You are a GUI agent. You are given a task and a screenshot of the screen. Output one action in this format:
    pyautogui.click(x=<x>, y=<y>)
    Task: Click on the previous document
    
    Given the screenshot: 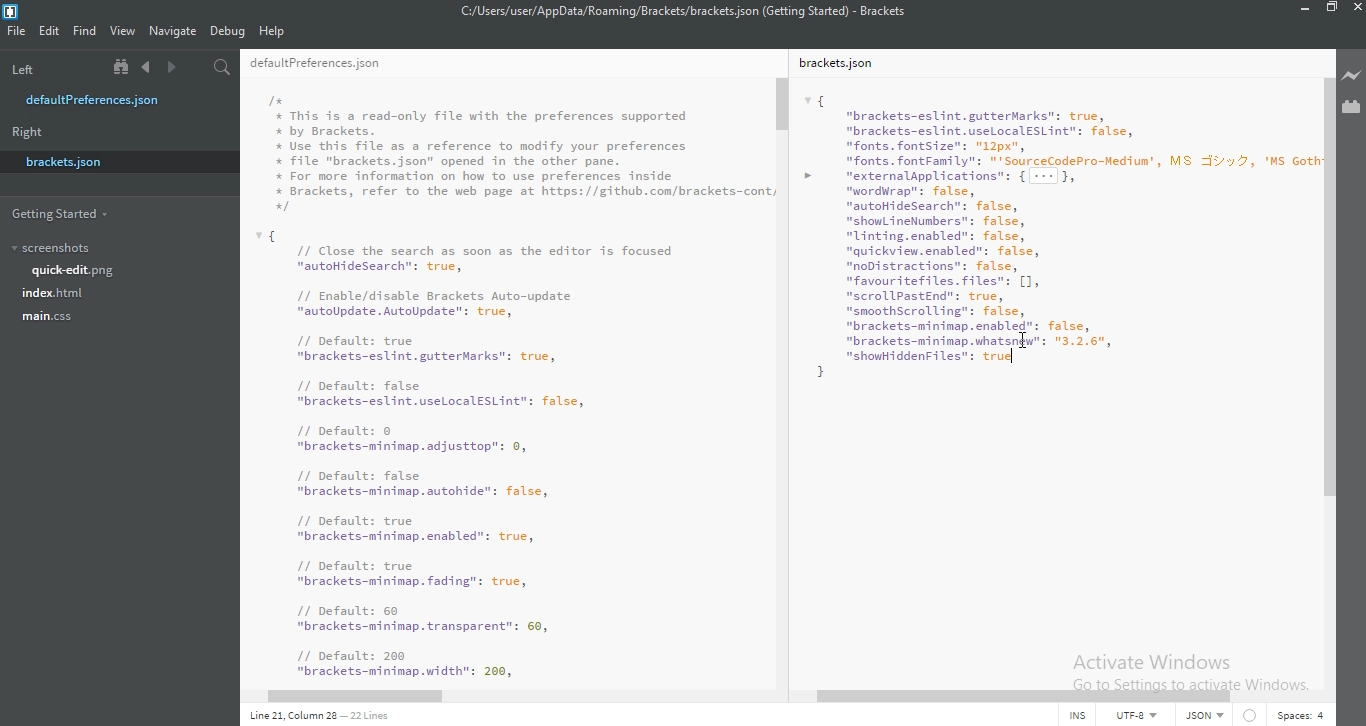 What is the action you would take?
    pyautogui.click(x=147, y=68)
    